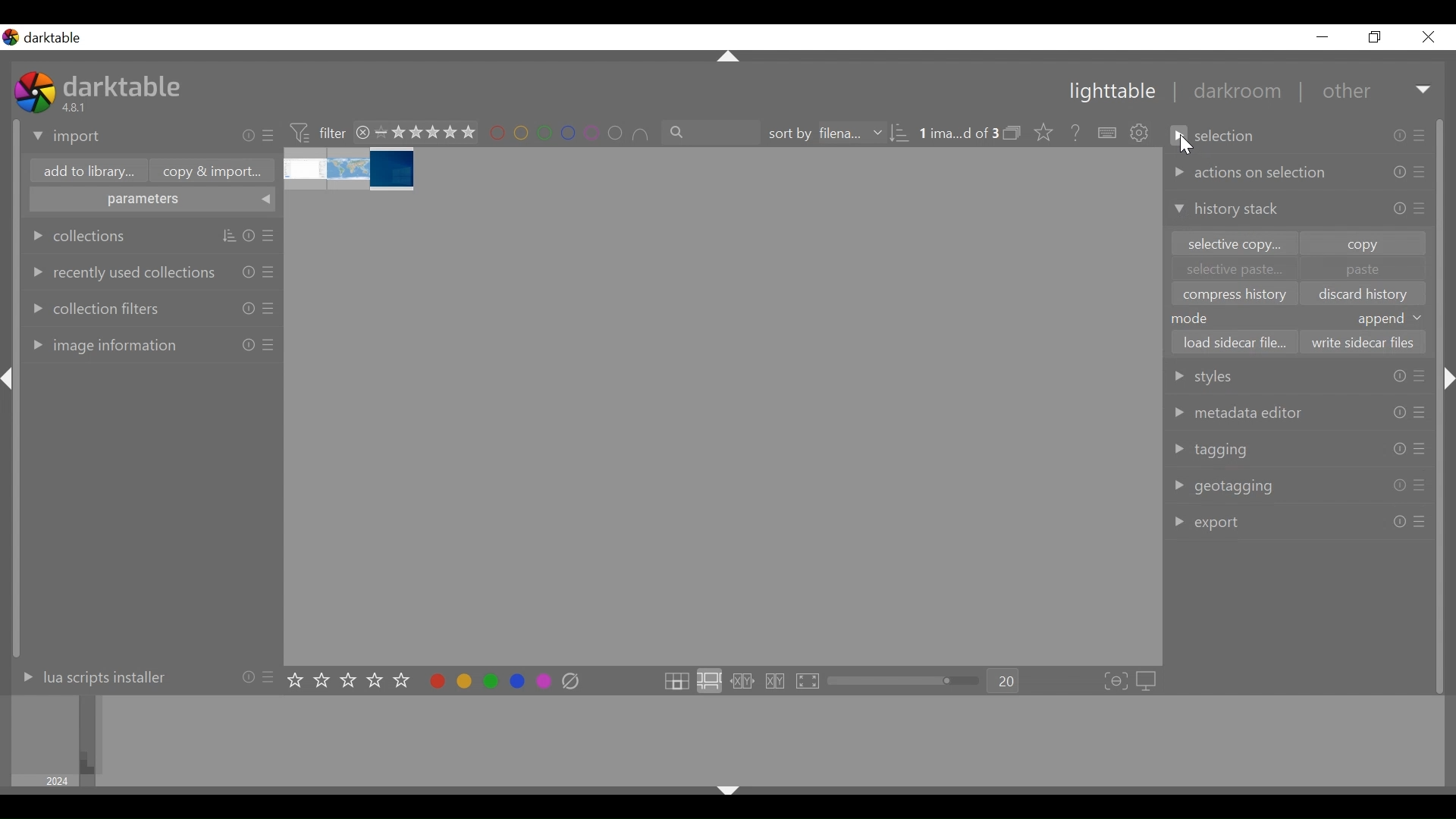  What do you see at coordinates (229, 237) in the screenshot?
I see `sorting` at bounding box center [229, 237].